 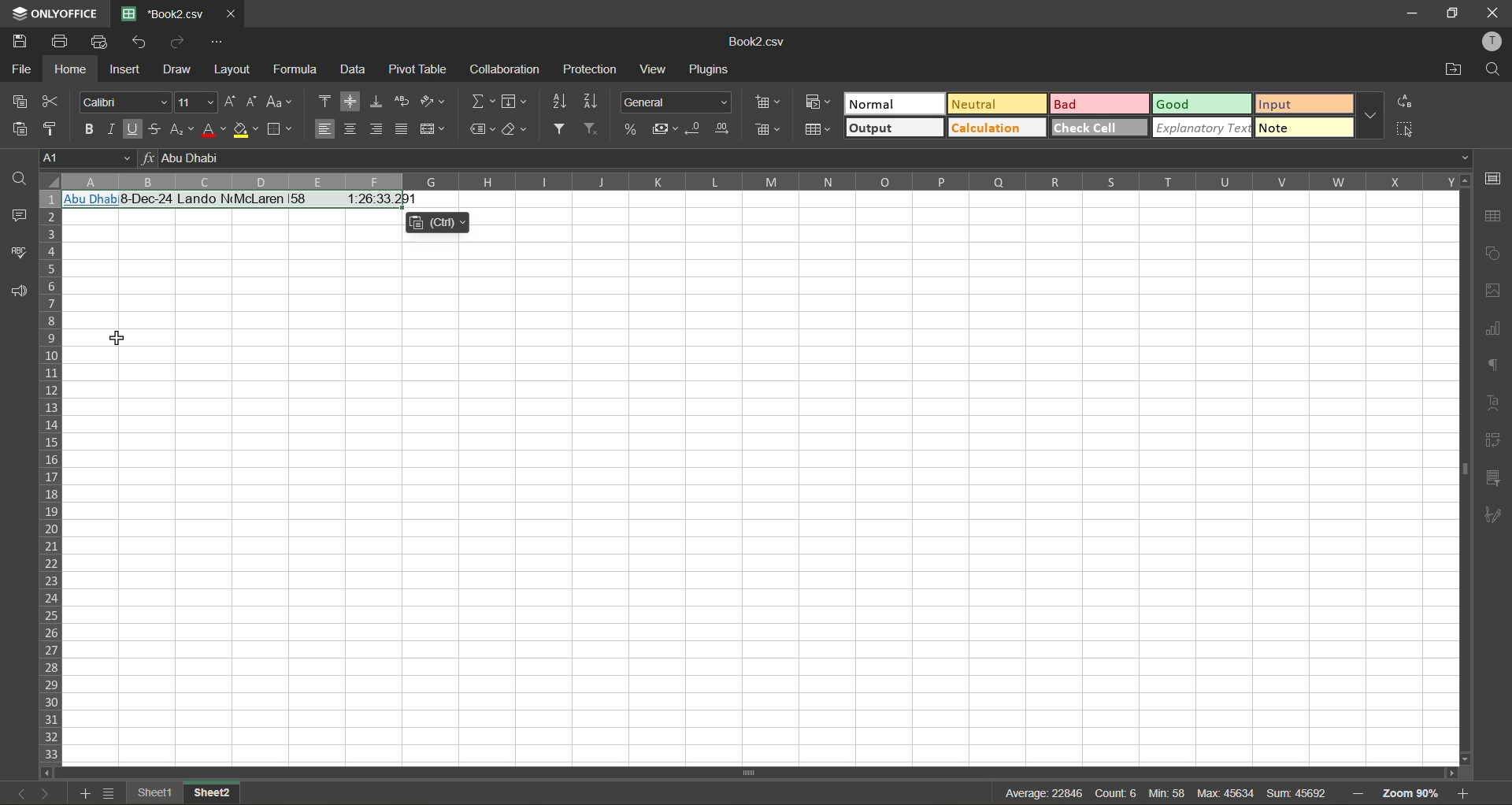 I want to click on more options, so click(x=1373, y=117).